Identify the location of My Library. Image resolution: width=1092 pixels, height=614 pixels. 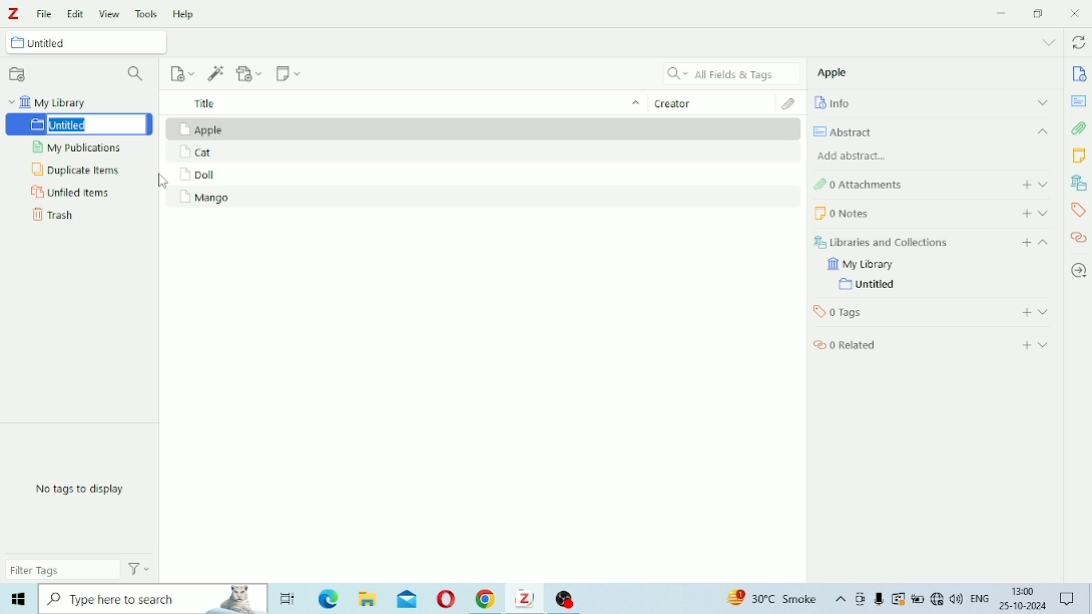
(859, 265).